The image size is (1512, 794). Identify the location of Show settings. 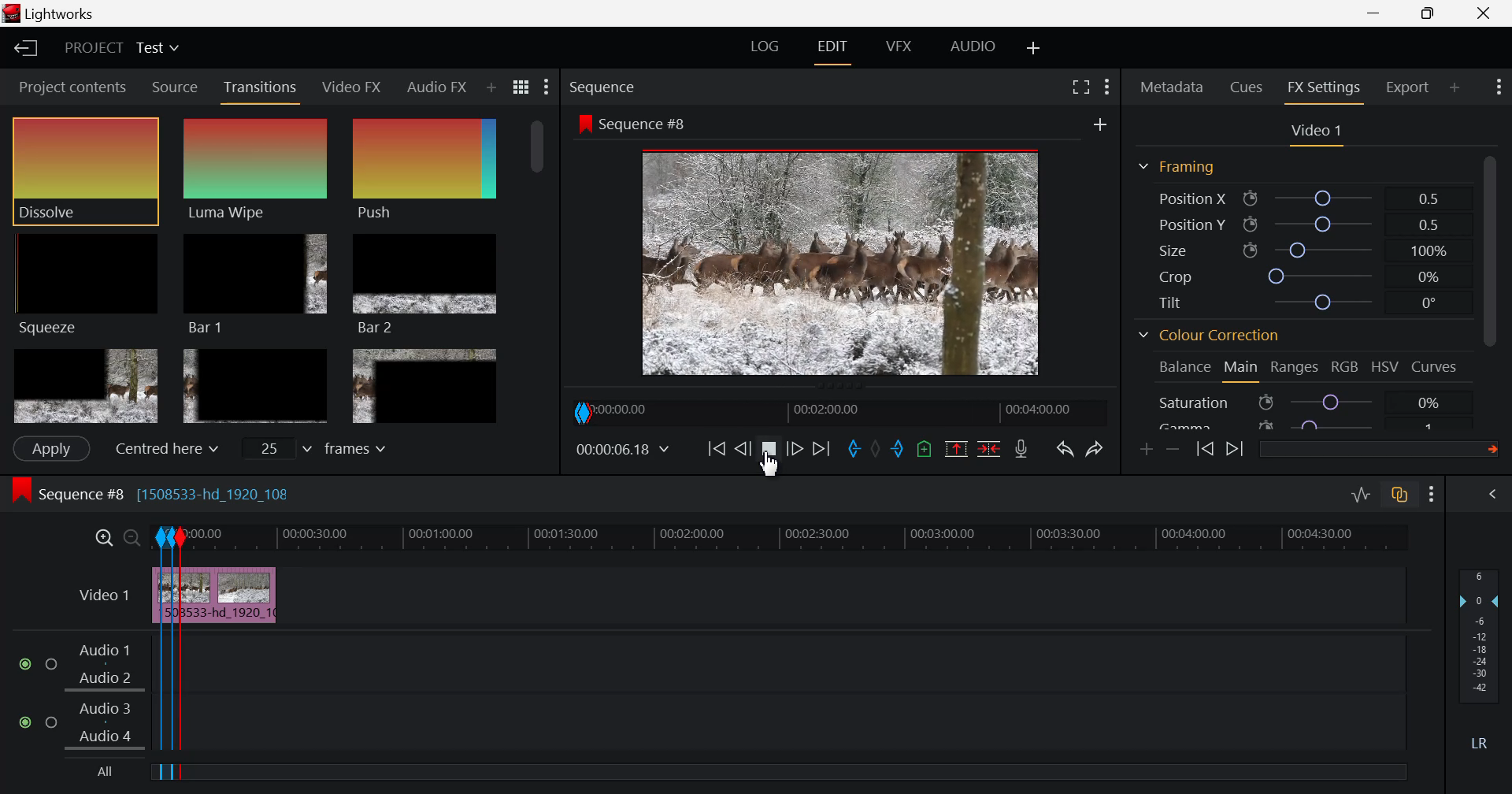
(1107, 87).